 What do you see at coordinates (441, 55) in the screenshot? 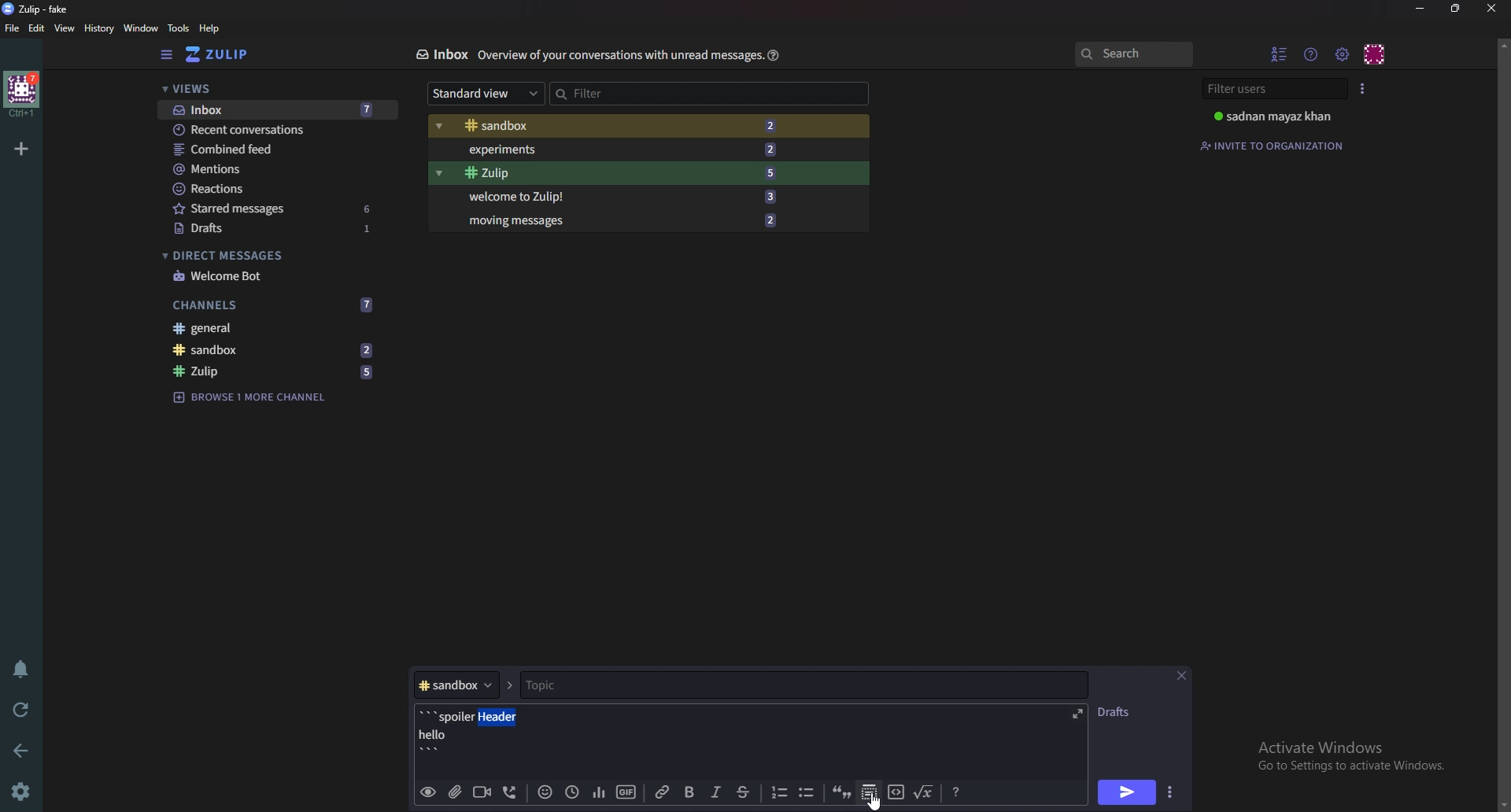
I see `Inbox` at bounding box center [441, 55].